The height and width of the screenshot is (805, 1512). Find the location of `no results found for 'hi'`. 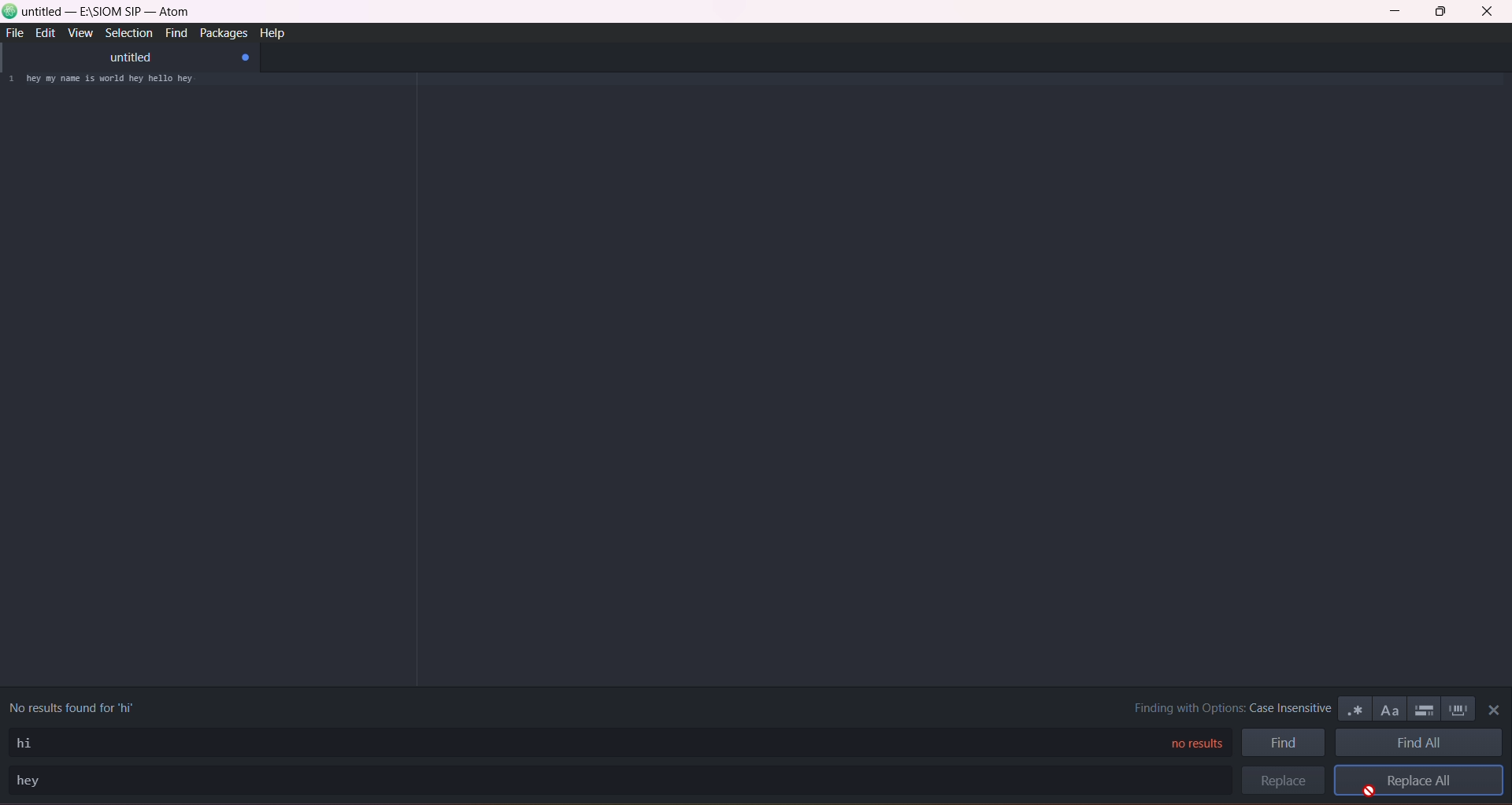

no results found for 'hi' is located at coordinates (76, 707).